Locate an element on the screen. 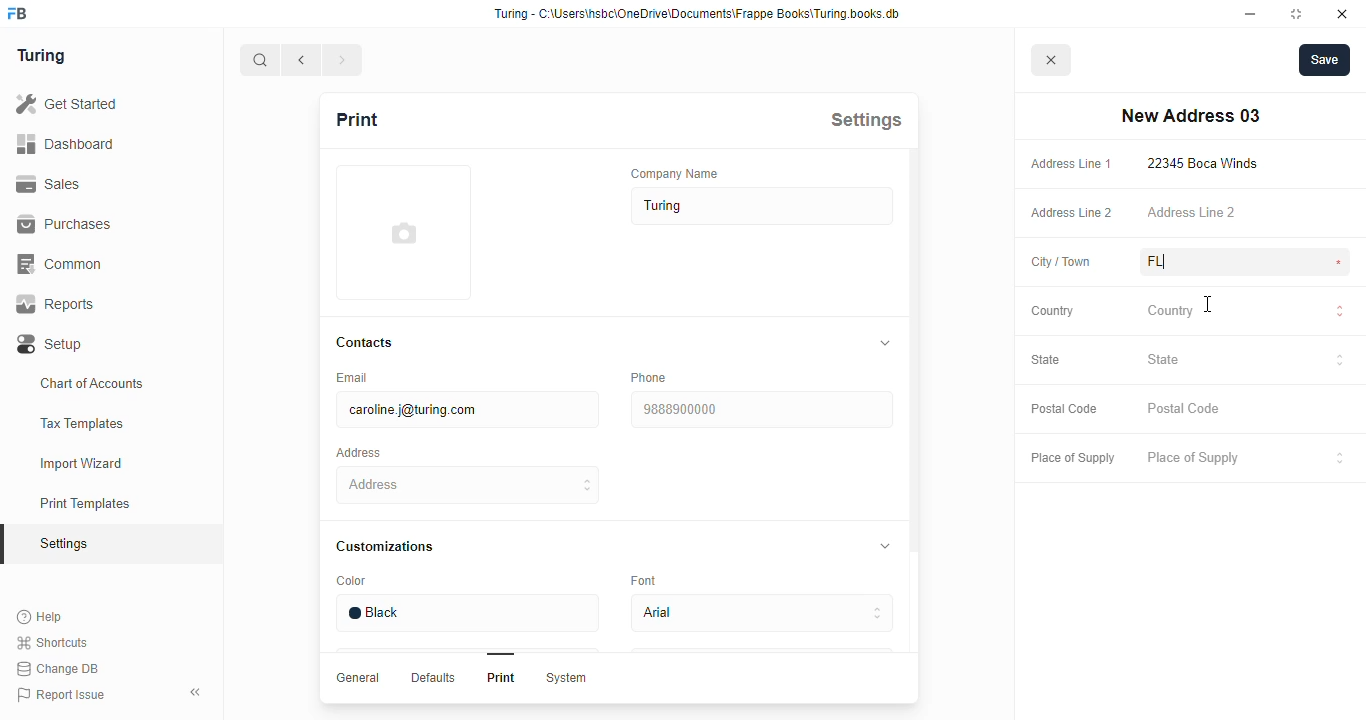  email is located at coordinates (350, 377).